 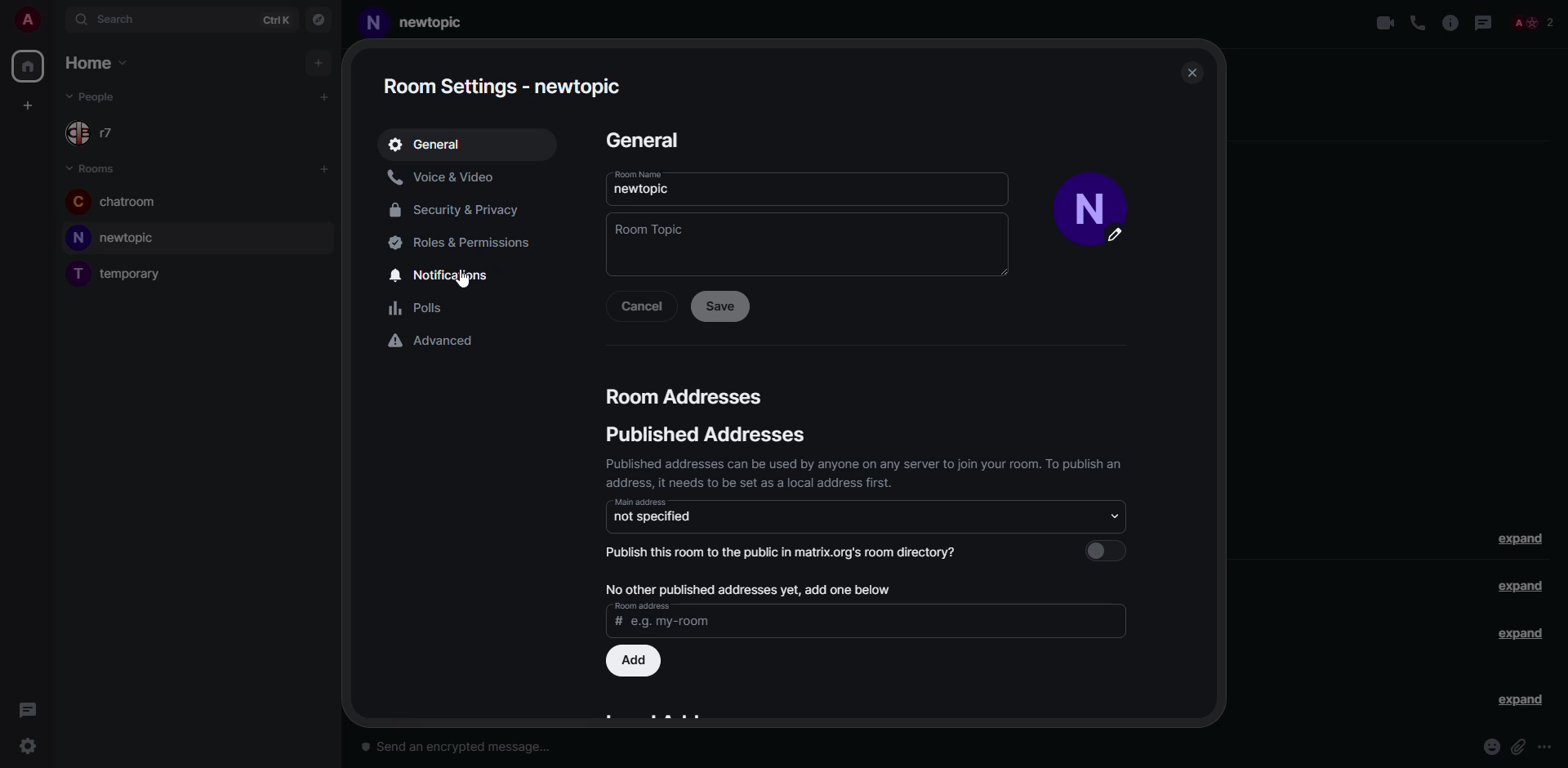 What do you see at coordinates (439, 342) in the screenshot?
I see `advanced` at bounding box center [439, 342].